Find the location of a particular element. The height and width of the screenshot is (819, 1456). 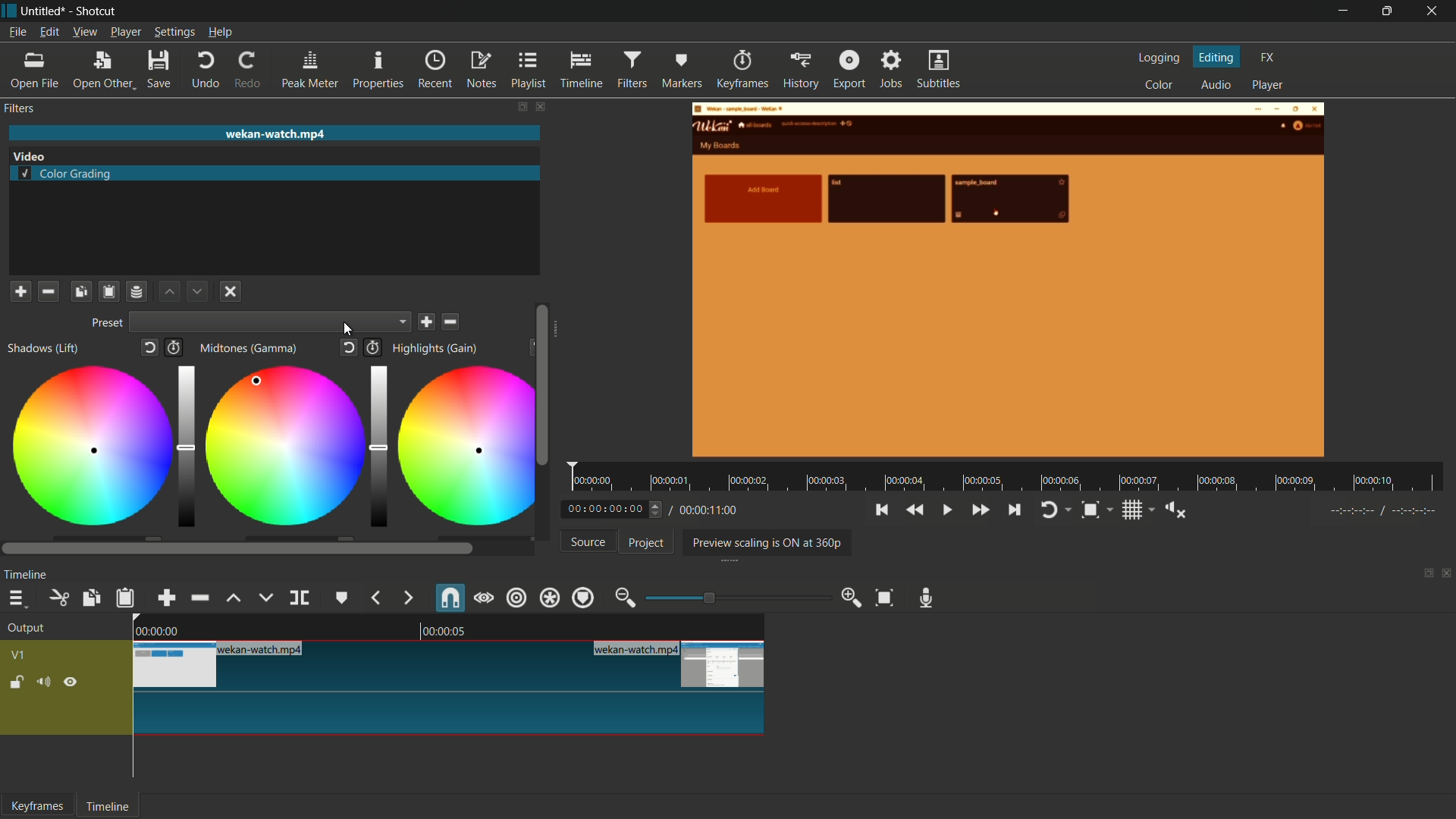

next marker is located at coordinates (406, 598).